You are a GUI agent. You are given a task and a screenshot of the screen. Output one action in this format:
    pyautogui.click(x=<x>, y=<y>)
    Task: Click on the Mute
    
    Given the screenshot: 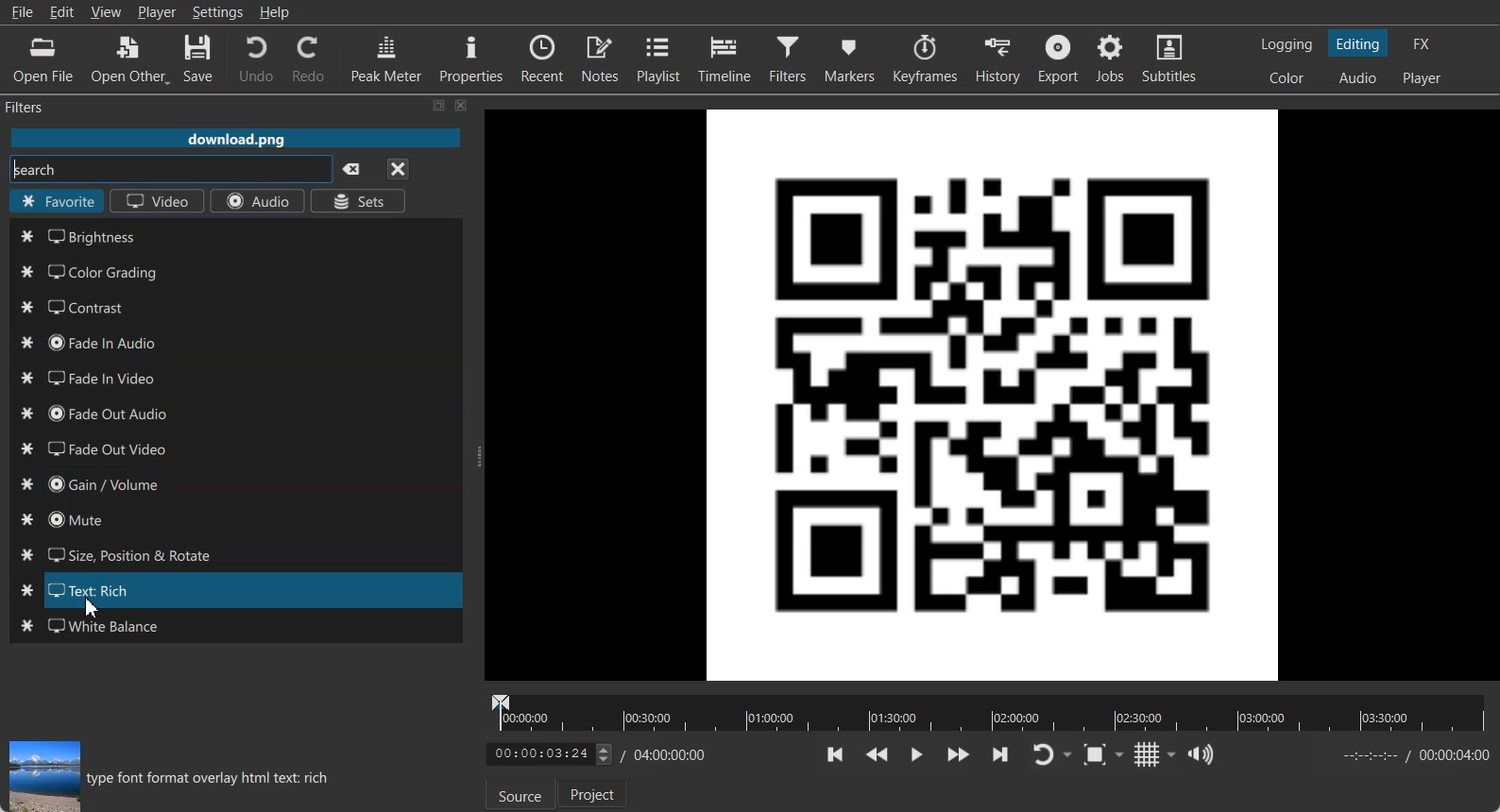 What is the action you would take?
    pyautogui.click(x=234, y=519)
    